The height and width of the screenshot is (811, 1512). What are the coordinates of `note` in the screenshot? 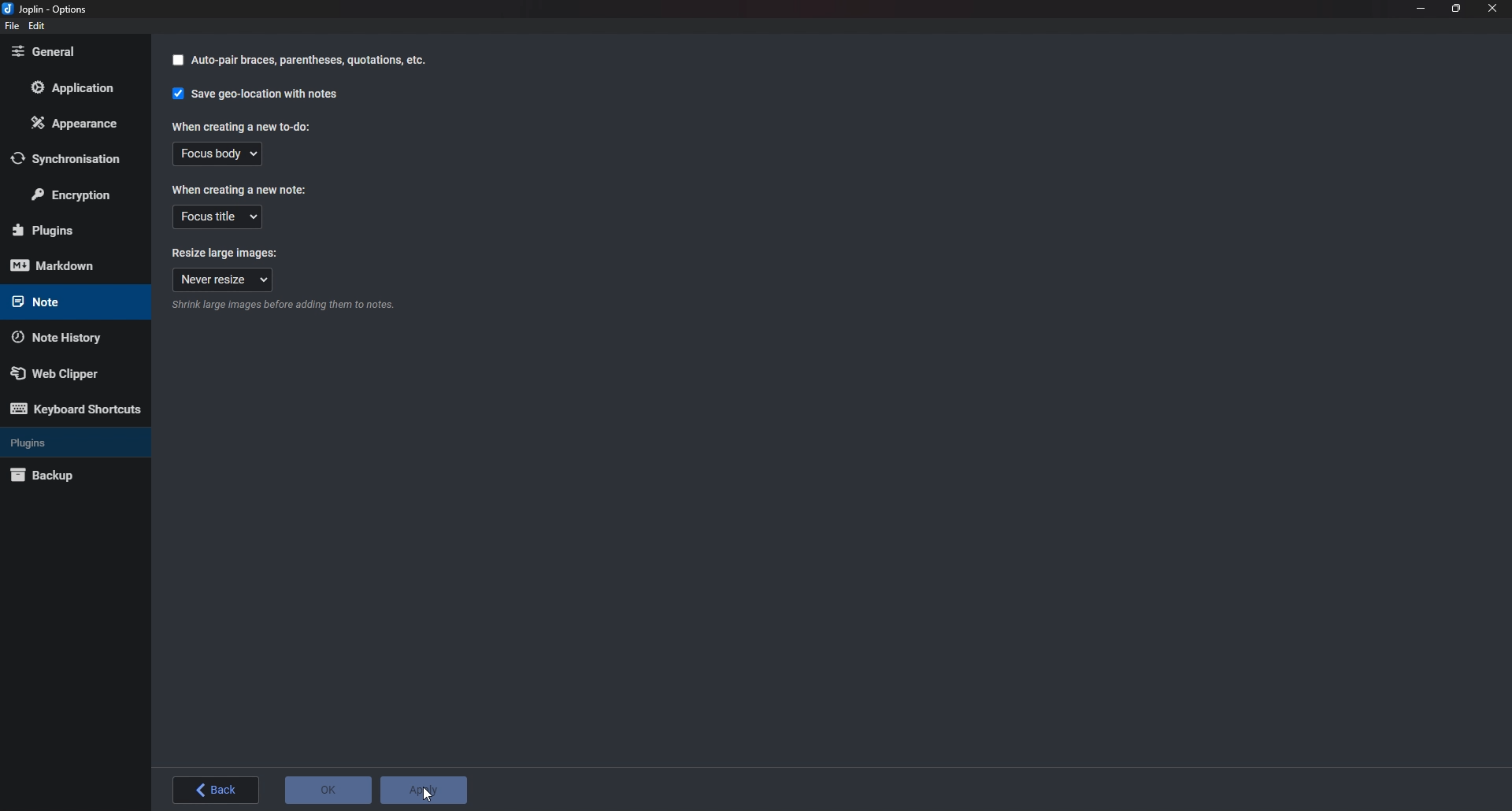 It's located at (65, 302).